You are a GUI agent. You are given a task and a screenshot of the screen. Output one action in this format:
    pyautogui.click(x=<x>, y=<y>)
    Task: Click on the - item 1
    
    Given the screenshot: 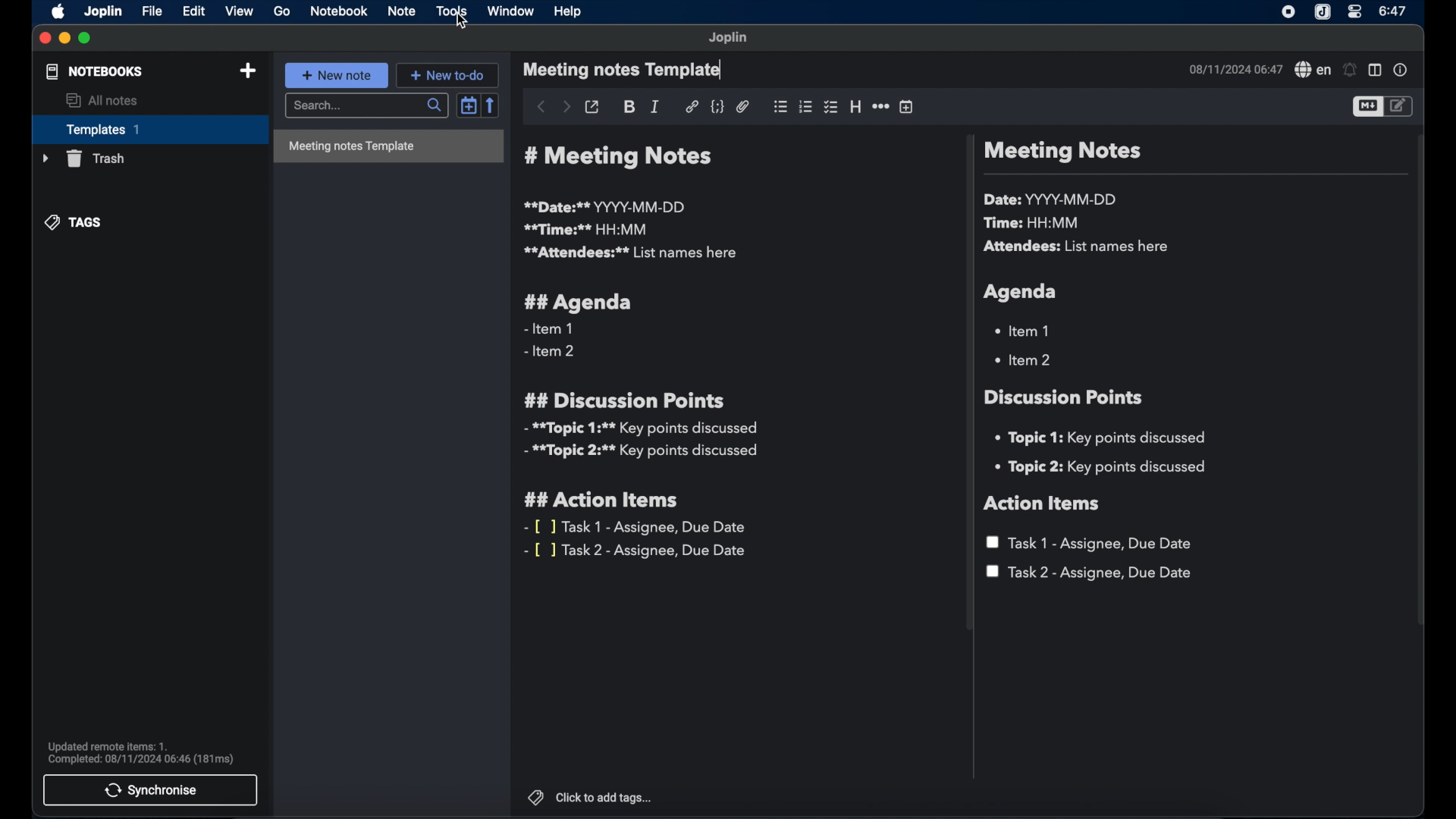 What is the action you would take?
    pyautogui.click(x=548, y=329)
    